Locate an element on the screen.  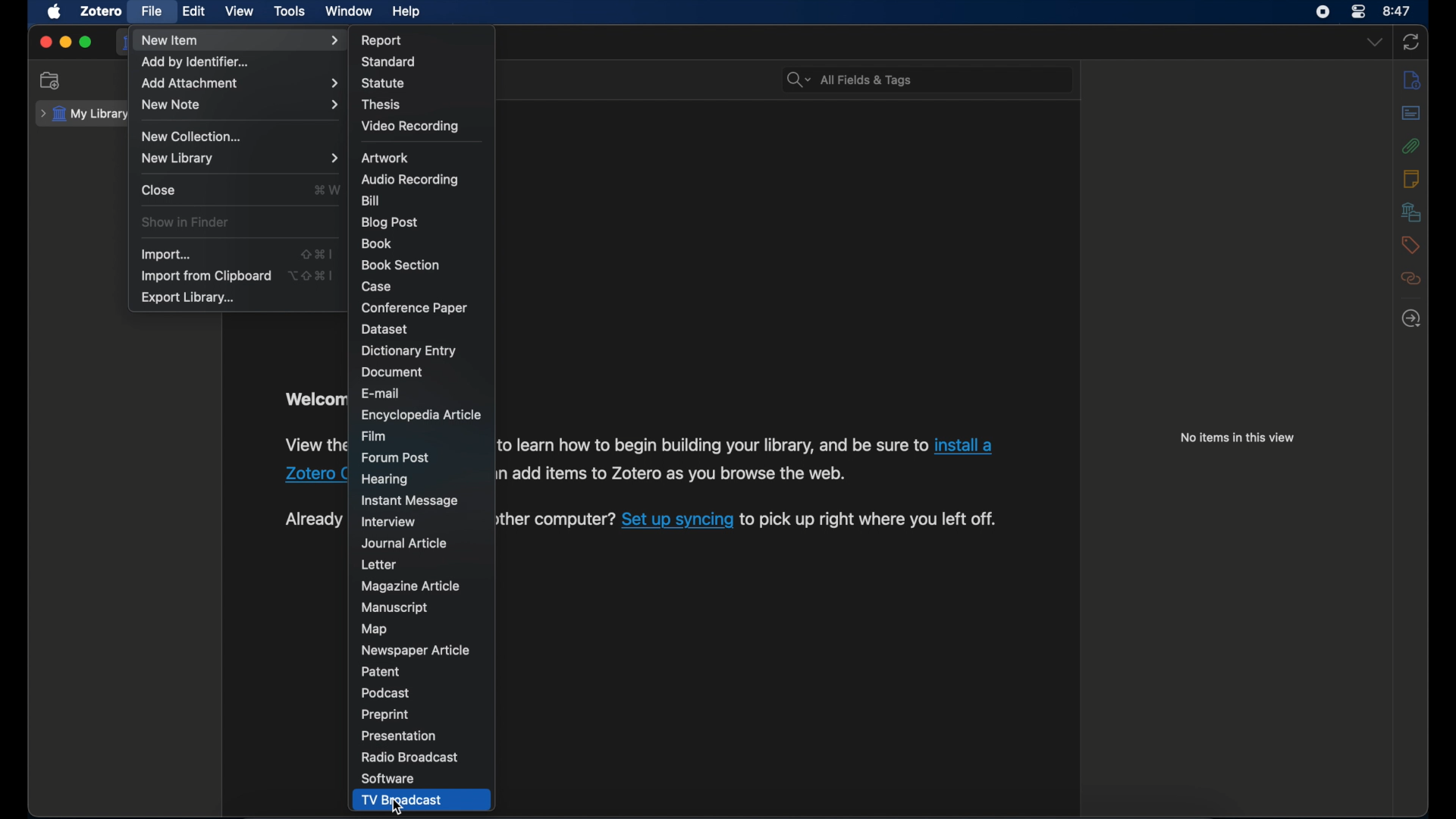
patent is located at coordinates (379, 672).